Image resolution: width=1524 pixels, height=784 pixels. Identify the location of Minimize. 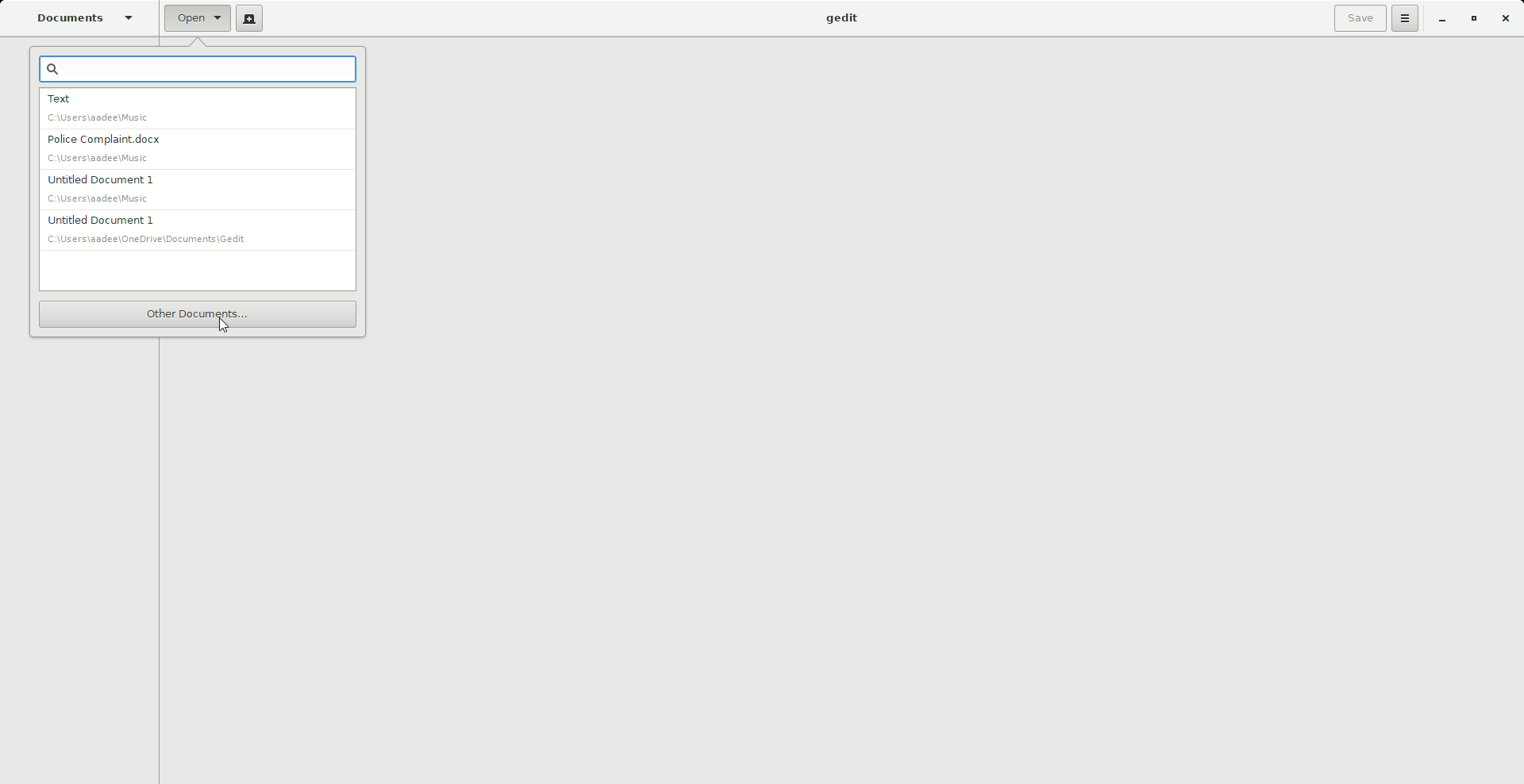
(1443, 22).